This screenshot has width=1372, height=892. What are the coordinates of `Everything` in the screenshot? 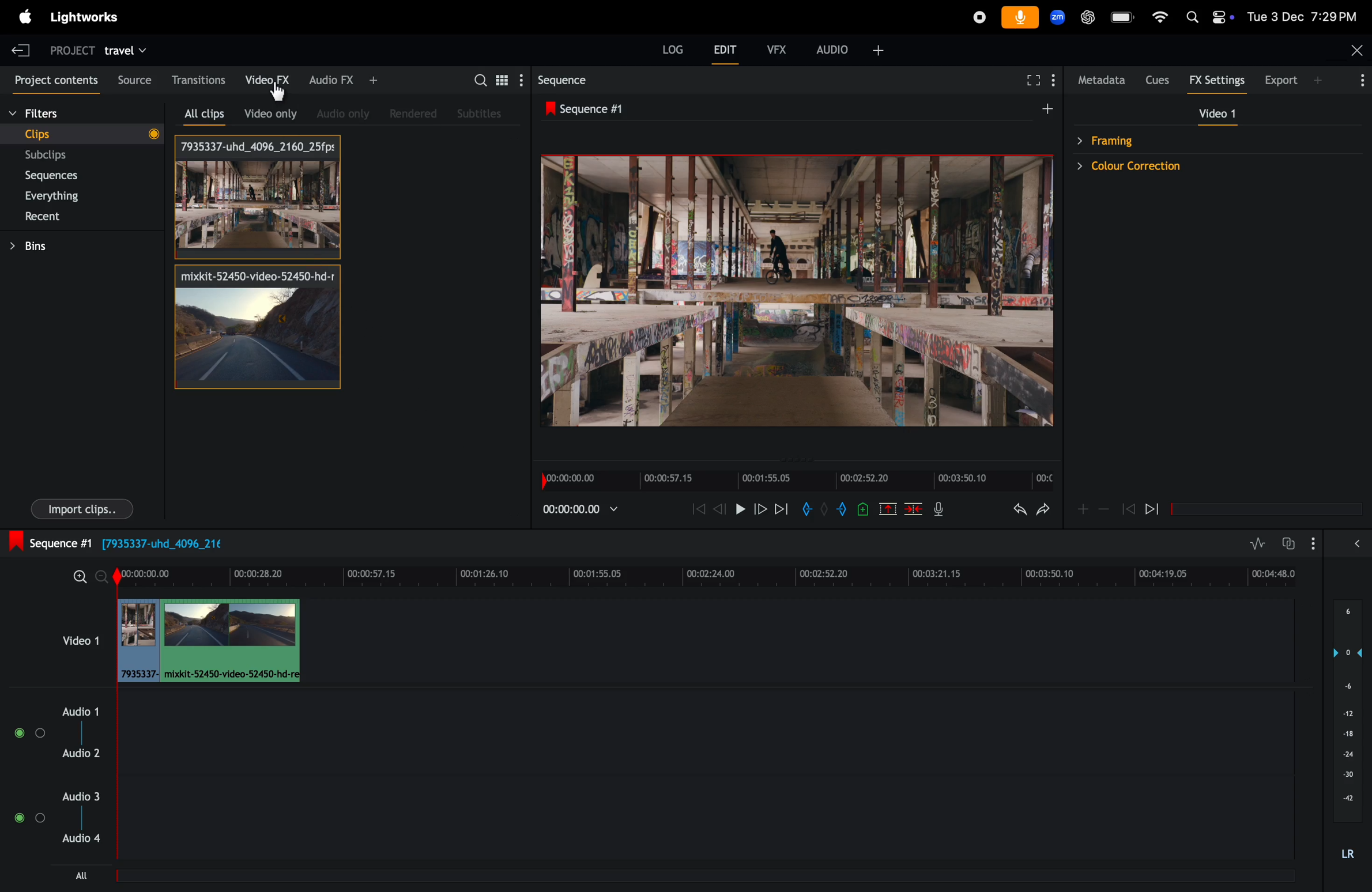 It's located at (77, 195).